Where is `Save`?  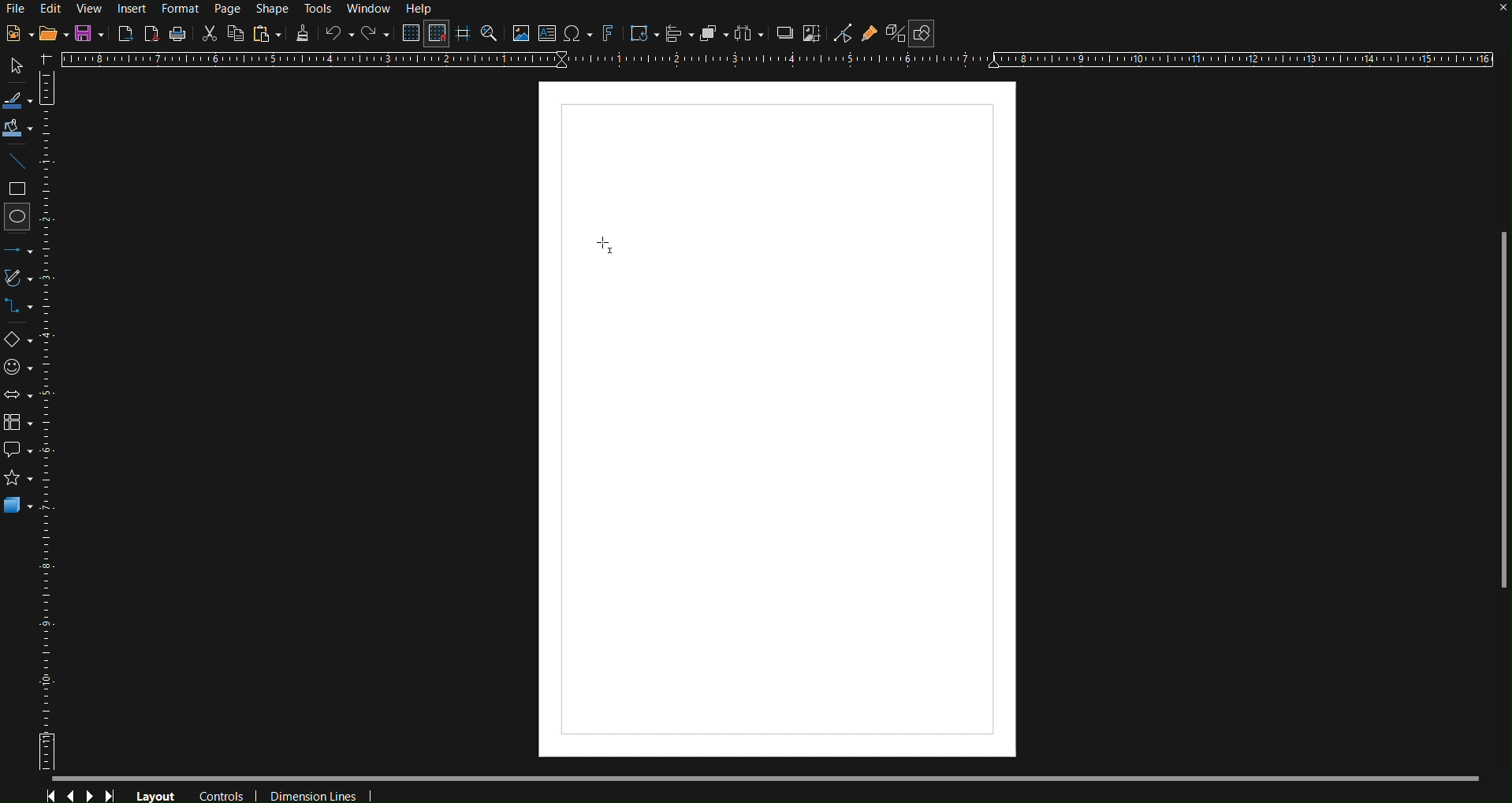
Save is located at coordinates (91, 34).